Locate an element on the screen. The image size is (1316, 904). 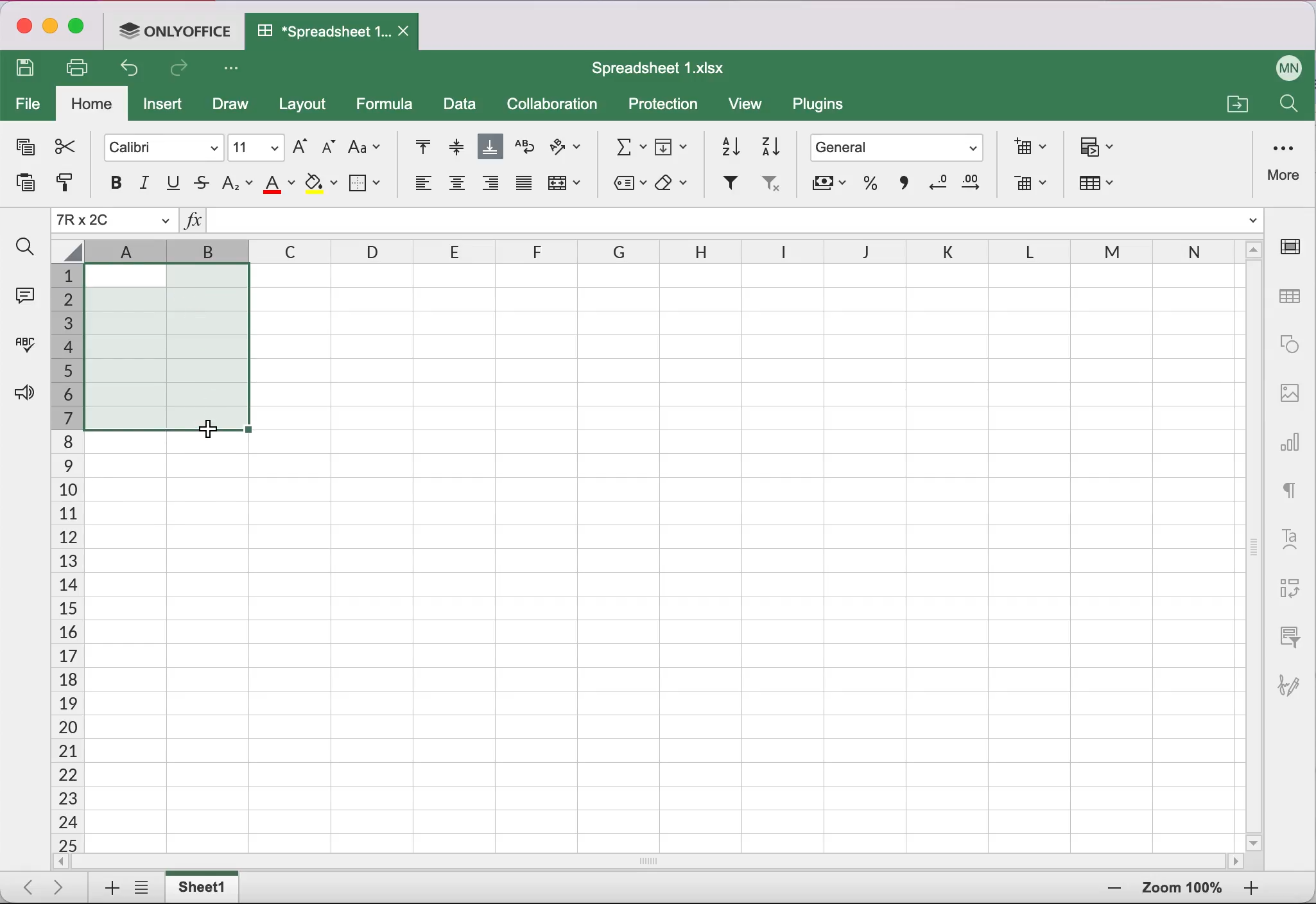
copy is located at coordinates (23, 150).